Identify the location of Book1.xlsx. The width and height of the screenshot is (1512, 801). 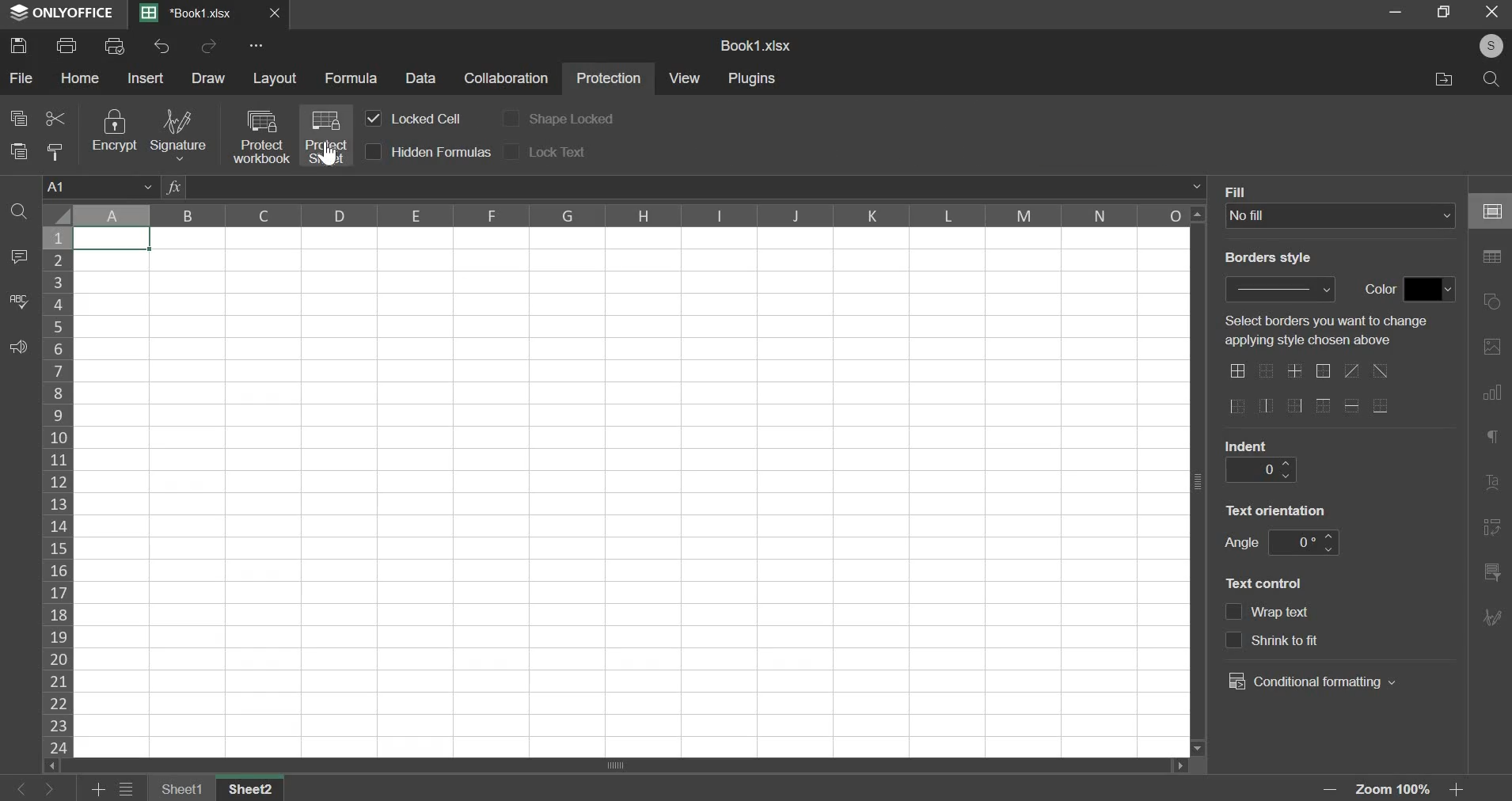
(192, 14).